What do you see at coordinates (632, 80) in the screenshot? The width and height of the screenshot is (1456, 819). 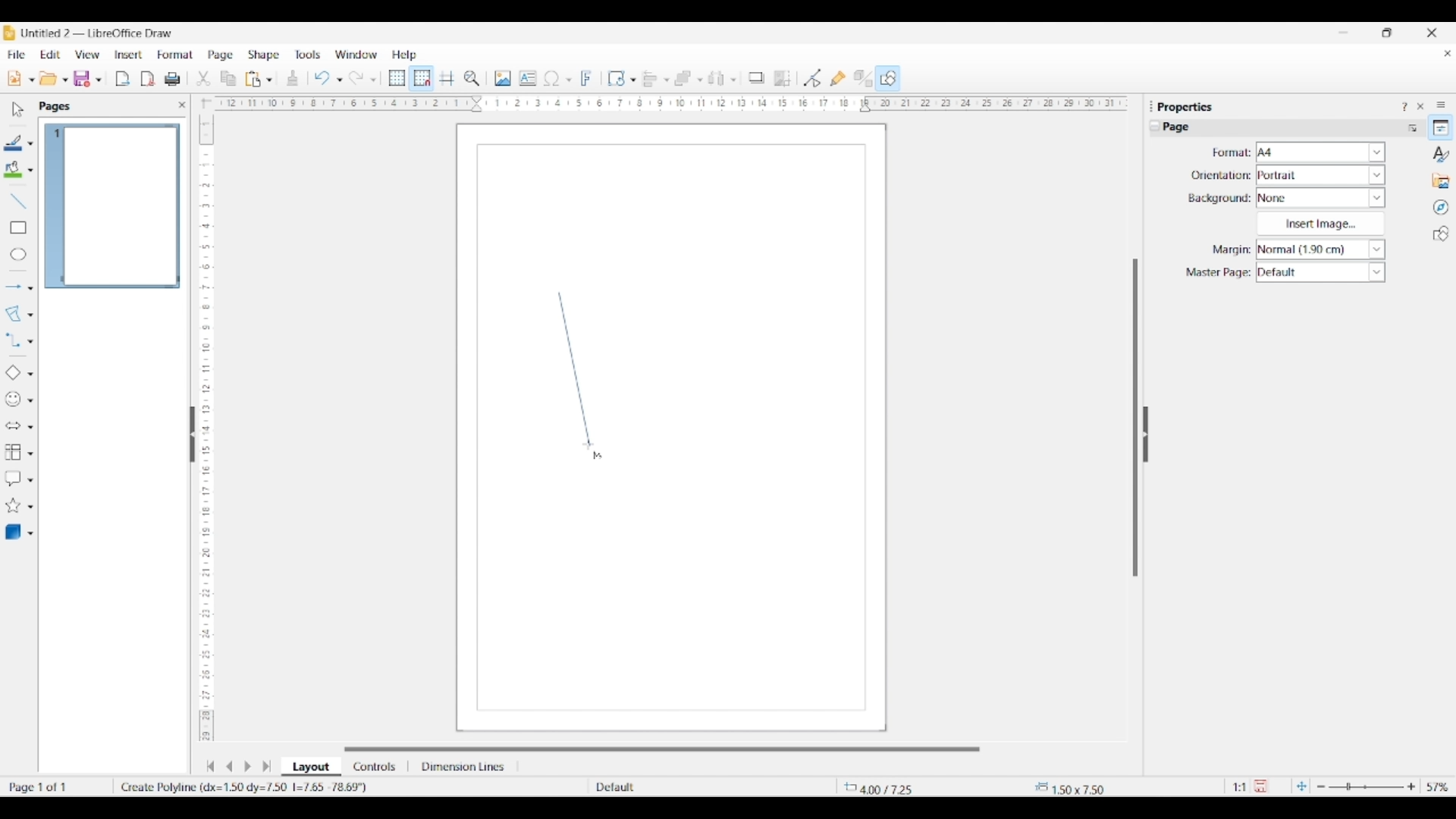 I see `Transformations option` at bounding box center [632, 80].